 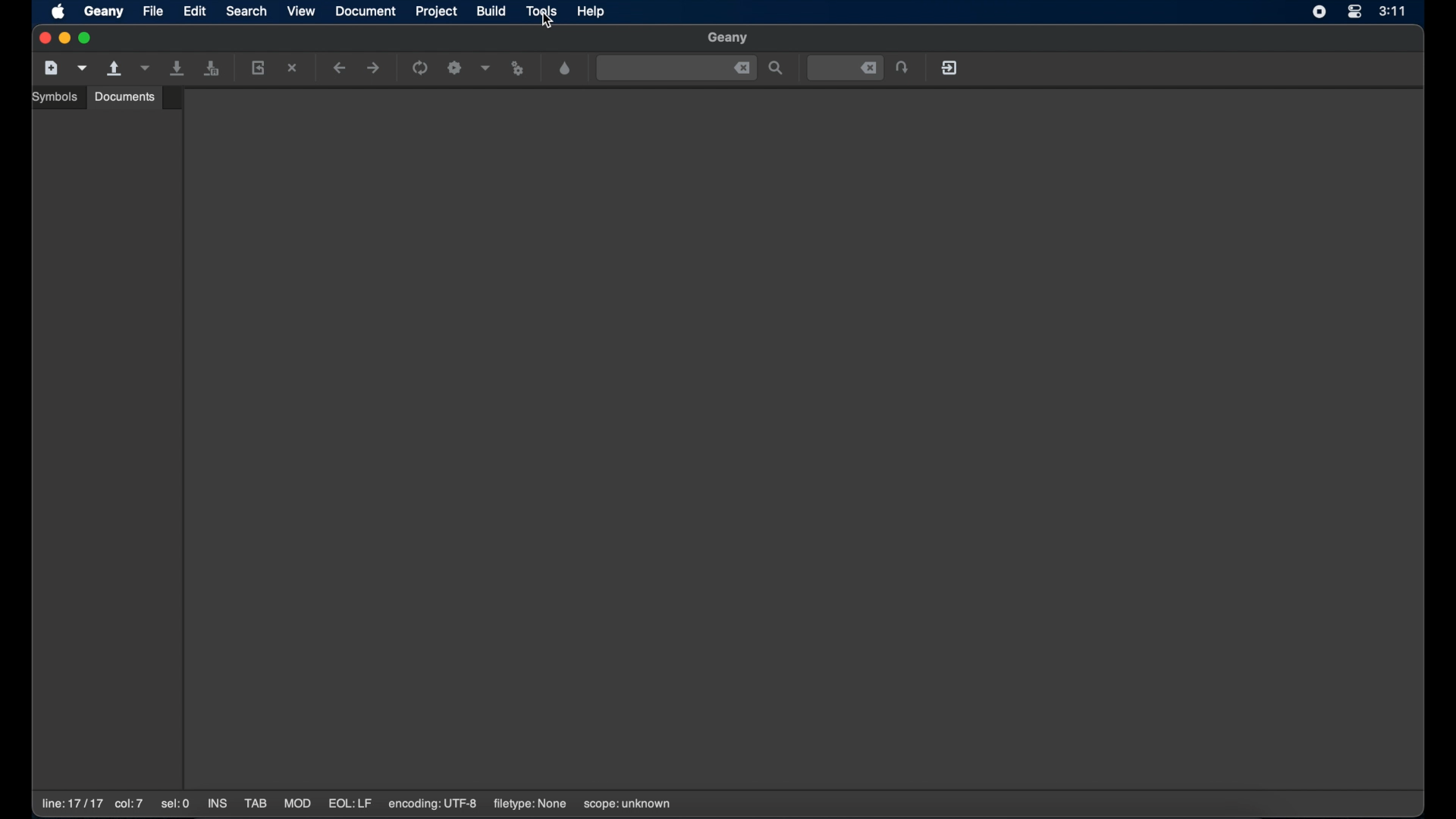 What do you see at coordinates (52, 68) in the screenshot?
I see `create a new file` at bounding box center [52, 68].